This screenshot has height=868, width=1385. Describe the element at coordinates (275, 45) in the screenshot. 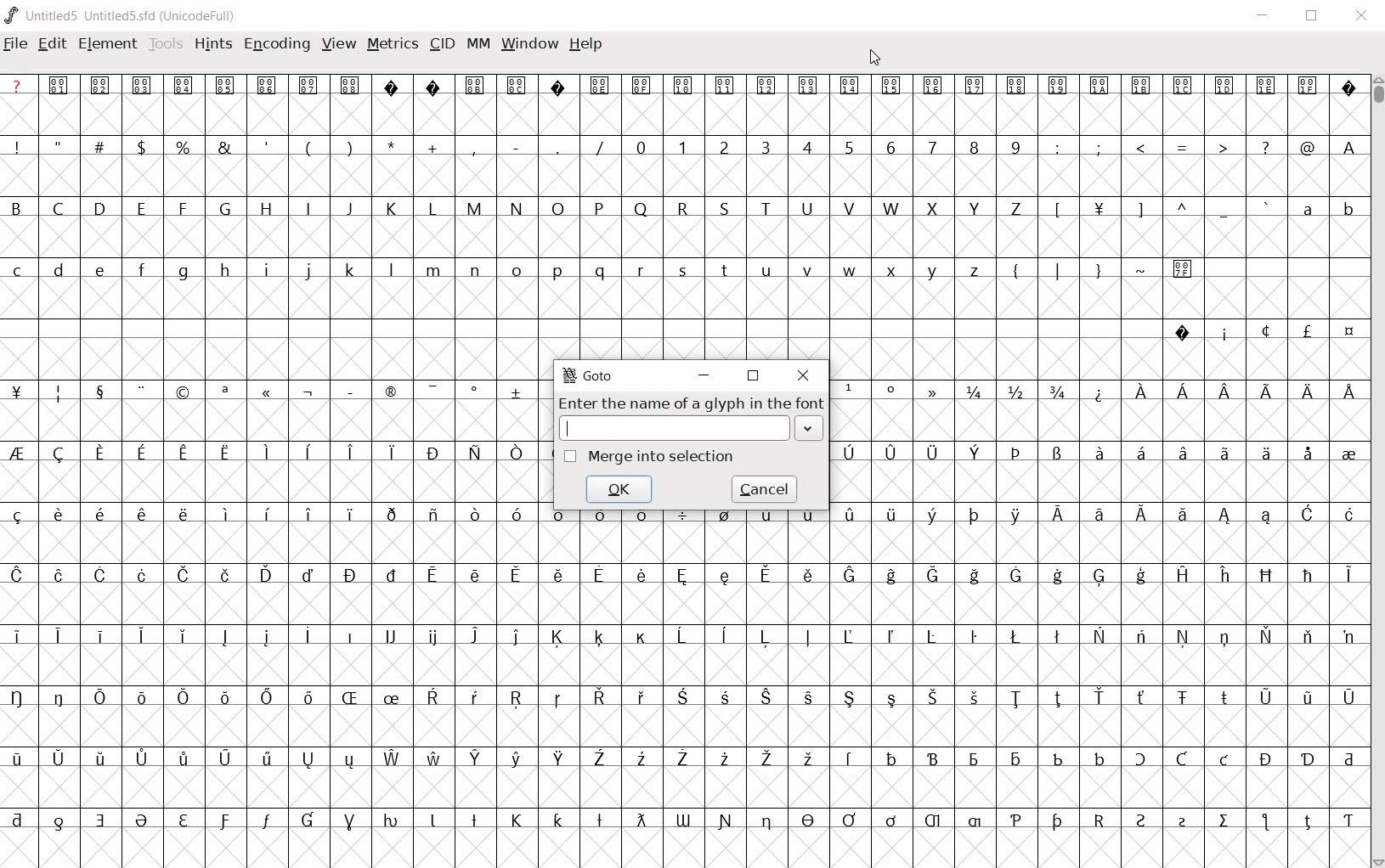

I see `ENCODING` at that location.